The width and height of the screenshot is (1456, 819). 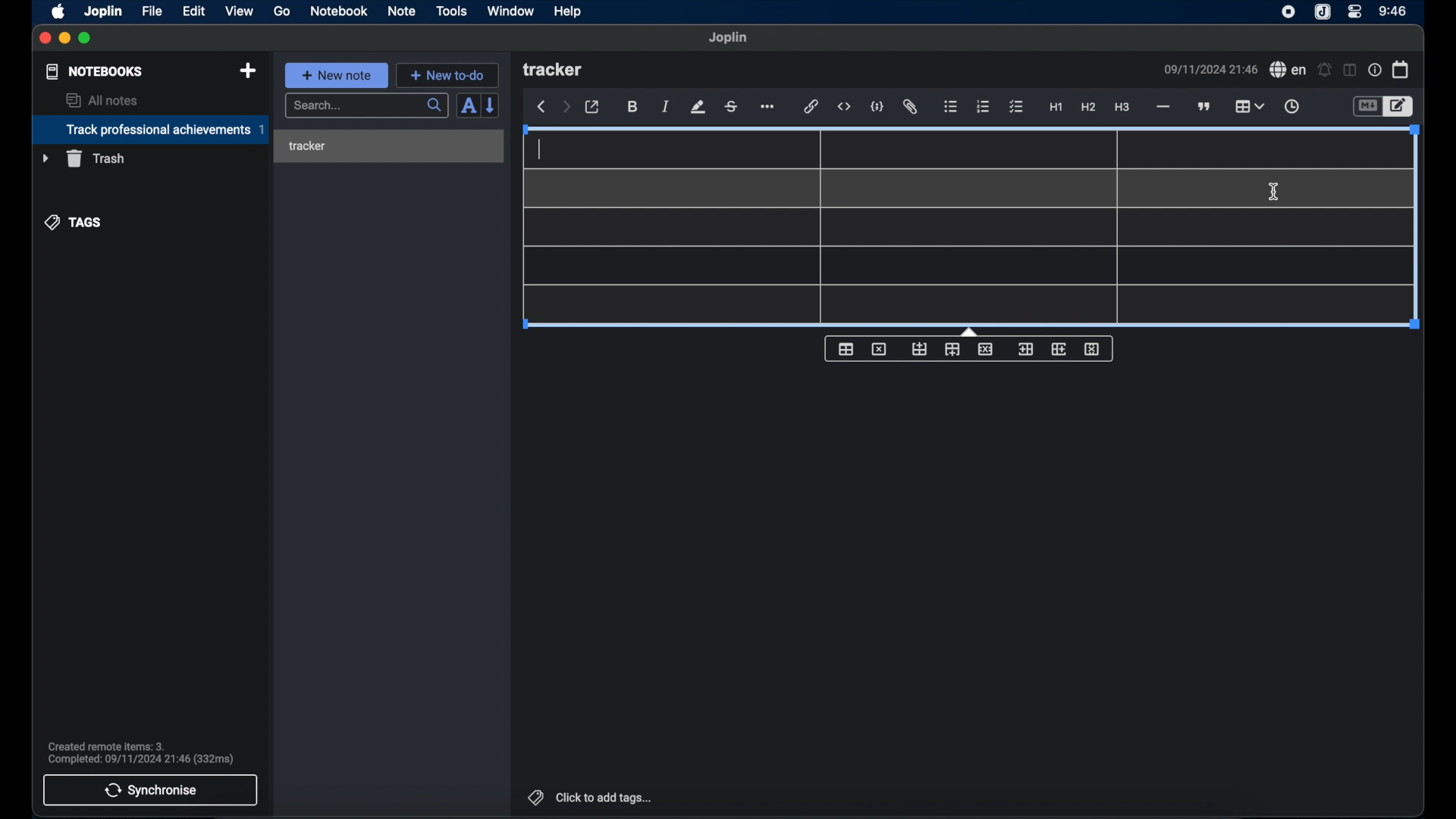 I want to click on notebook, so click(x=339, y=11).